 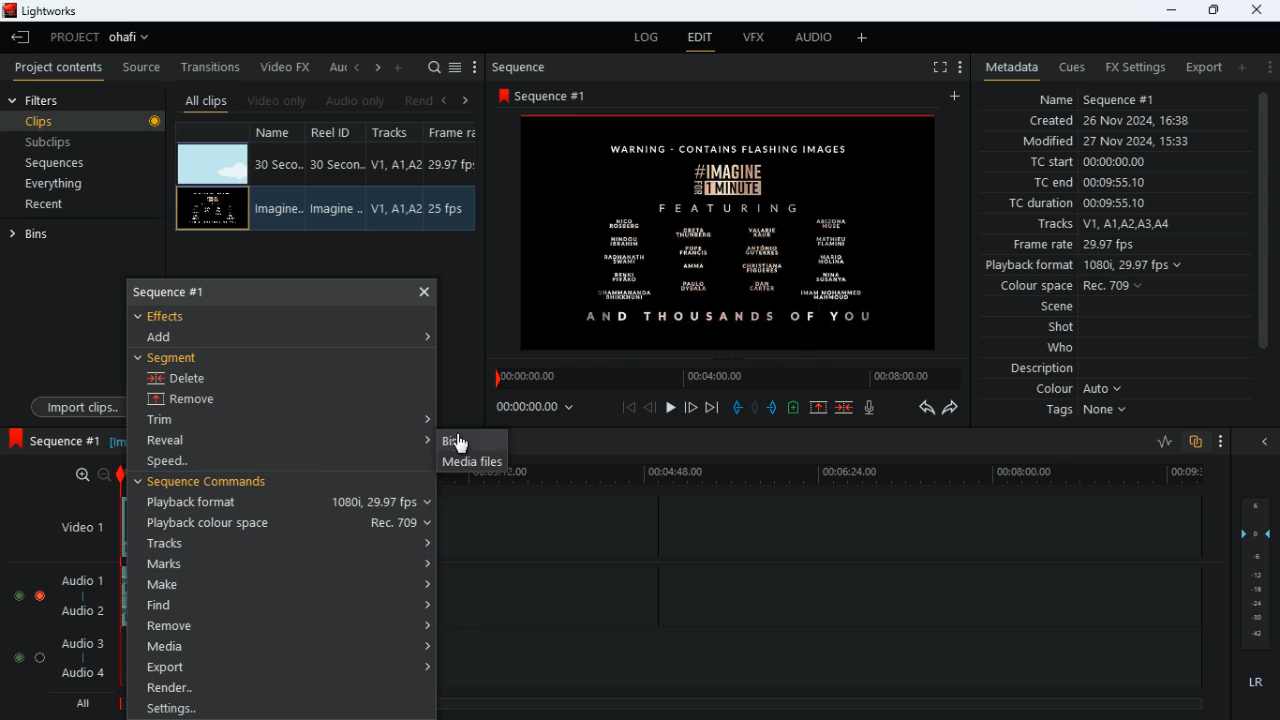 What do you see at coordinates (469, 441) in the screenshot?
I see `bins` at bounding box center [469, 441].